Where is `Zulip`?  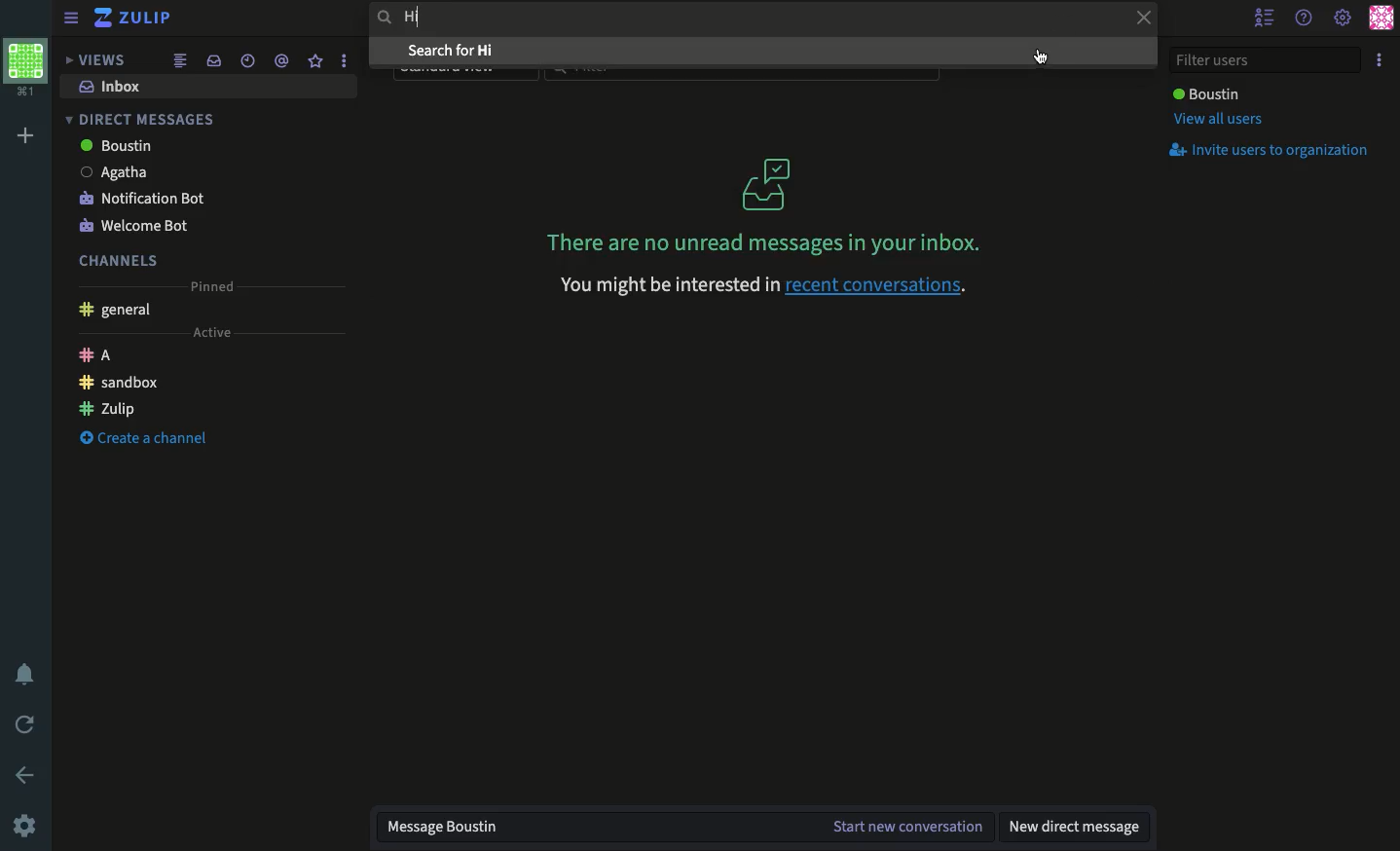
Zulip is located at coordinates (110, 409).